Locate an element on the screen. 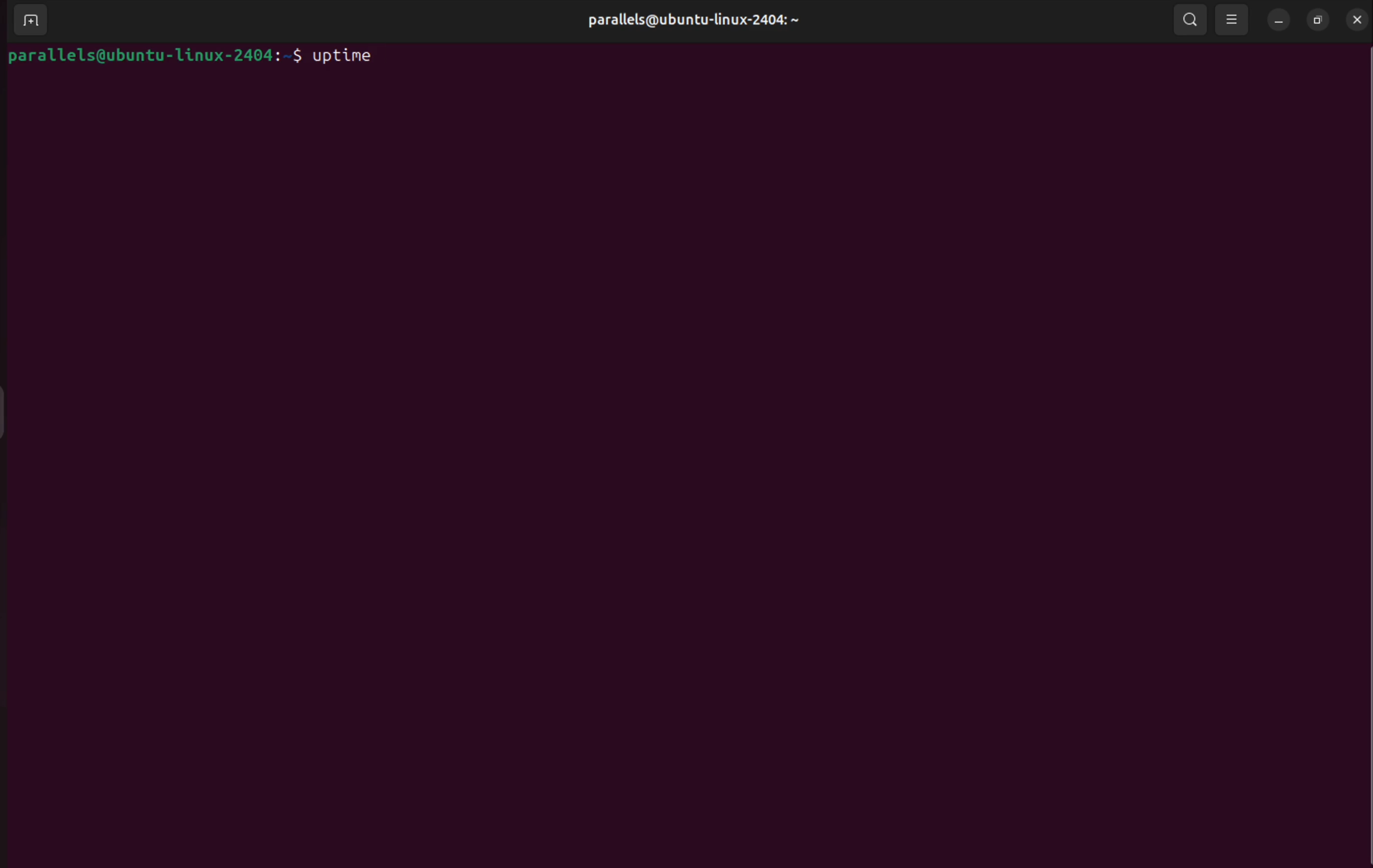 The image size is (1373, 868). userprofile is located at coordinates (689, 19).